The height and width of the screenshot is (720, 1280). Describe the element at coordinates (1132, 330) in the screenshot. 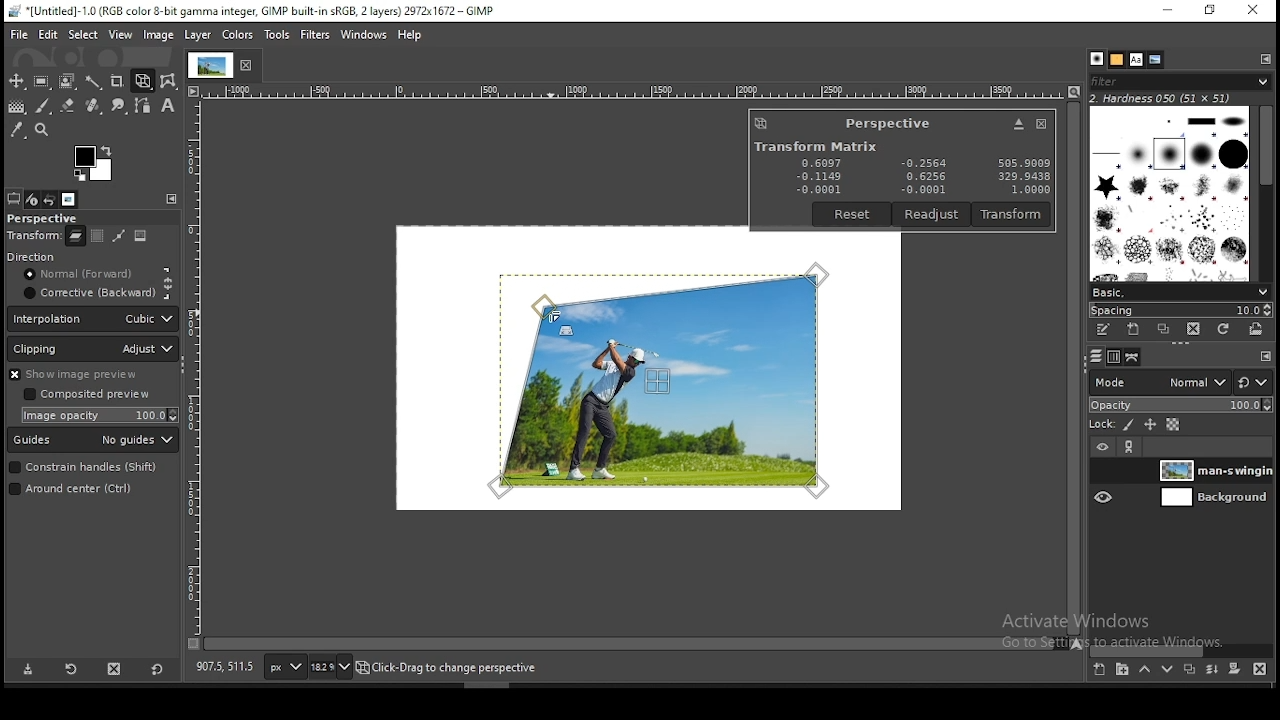

I see `create a new brush` at that location.